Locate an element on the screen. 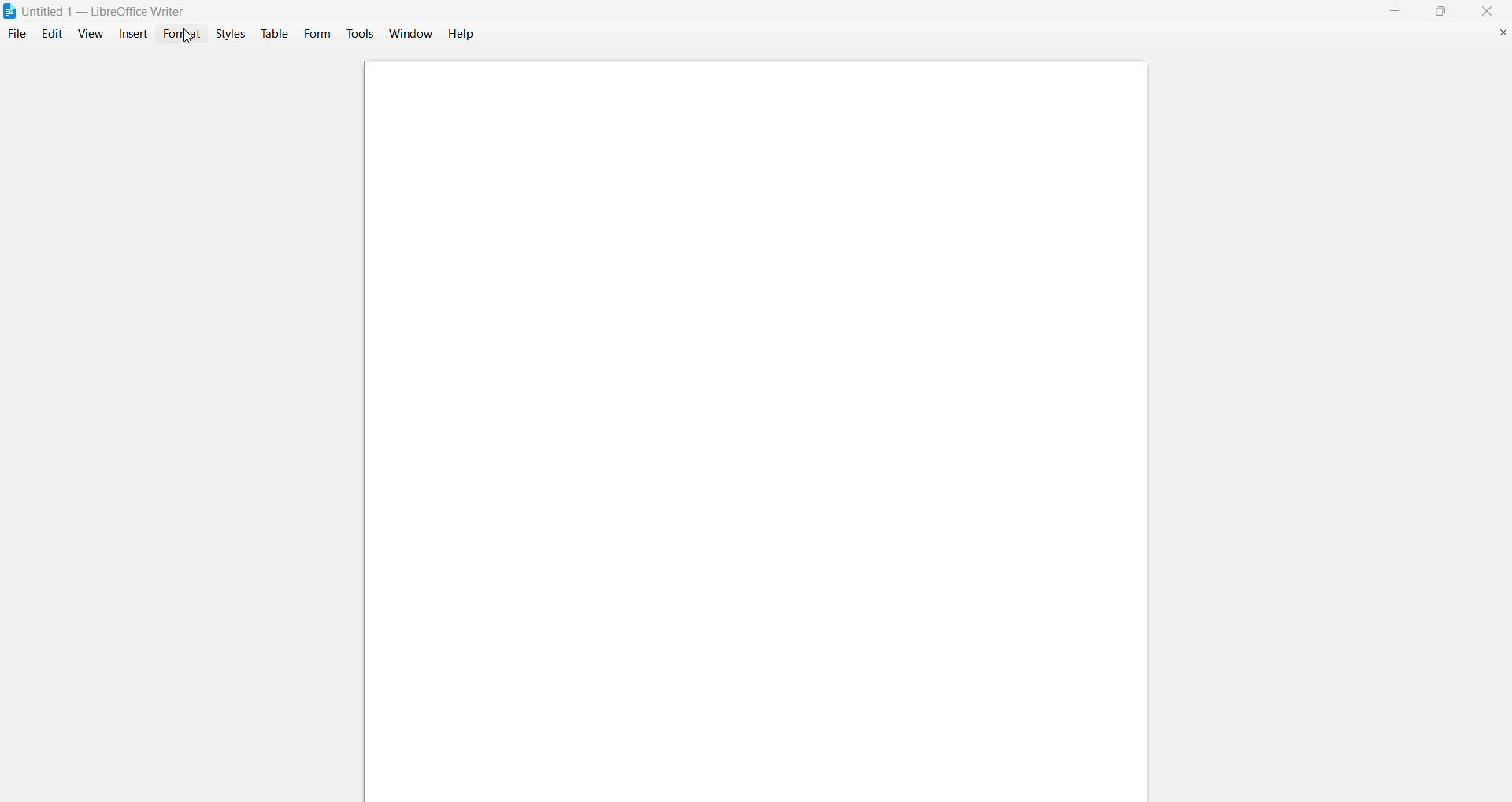  view is located at coordinates (91, 32).